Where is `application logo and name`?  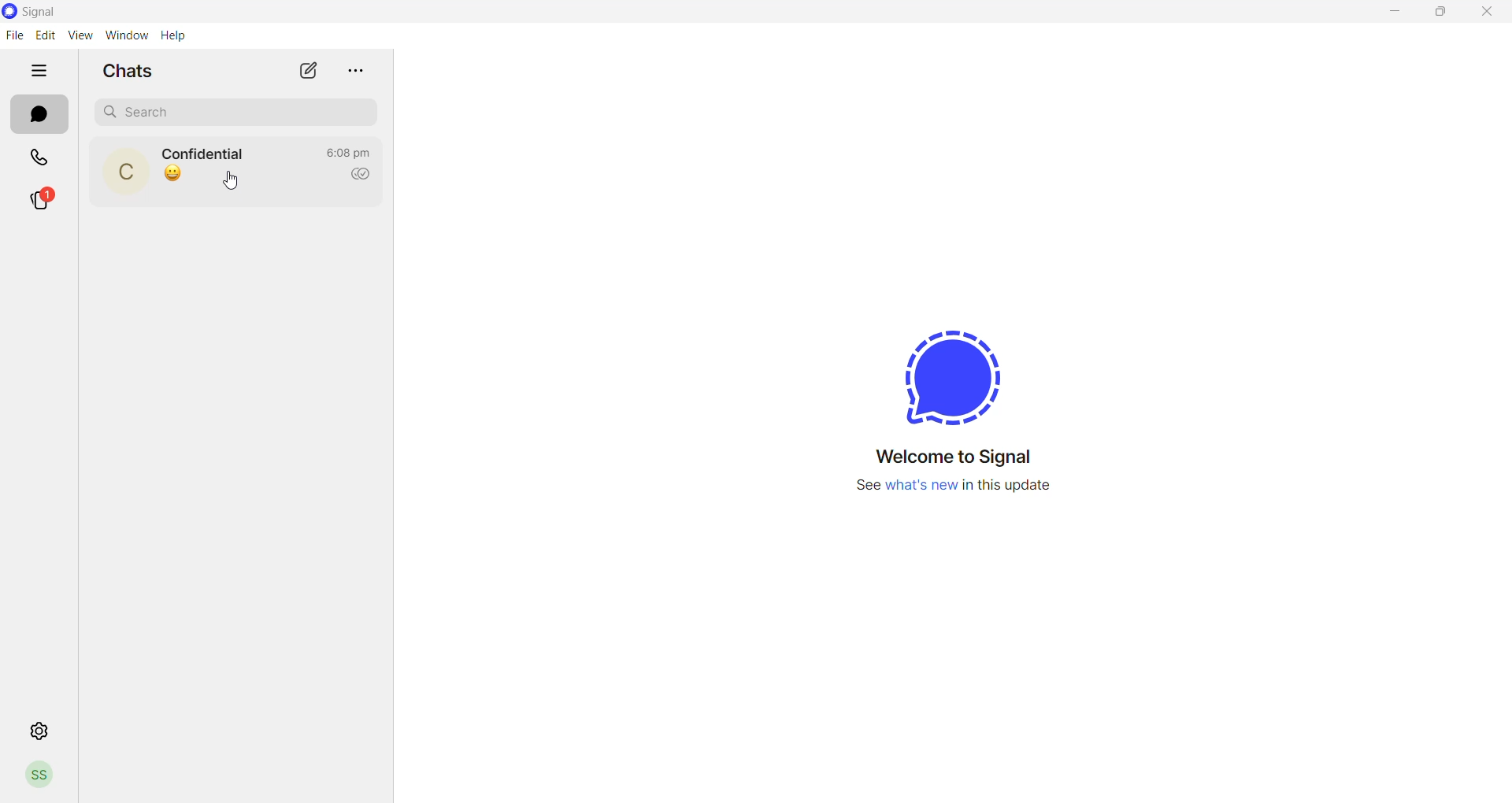
application logo and name is located at coordinates (65, 11).